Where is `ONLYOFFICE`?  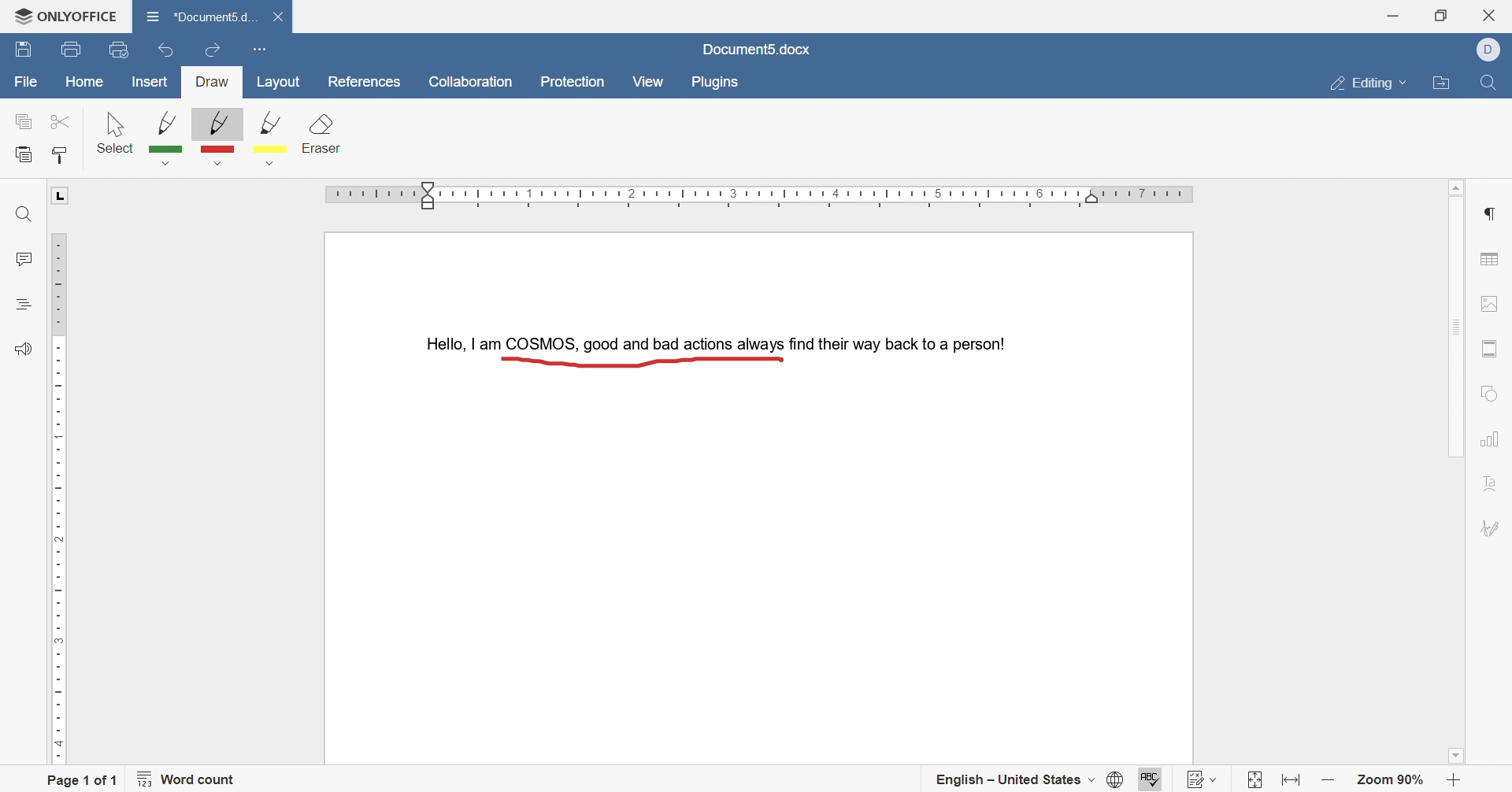 ONLYOFFICE is located at coordinates (60, 13).